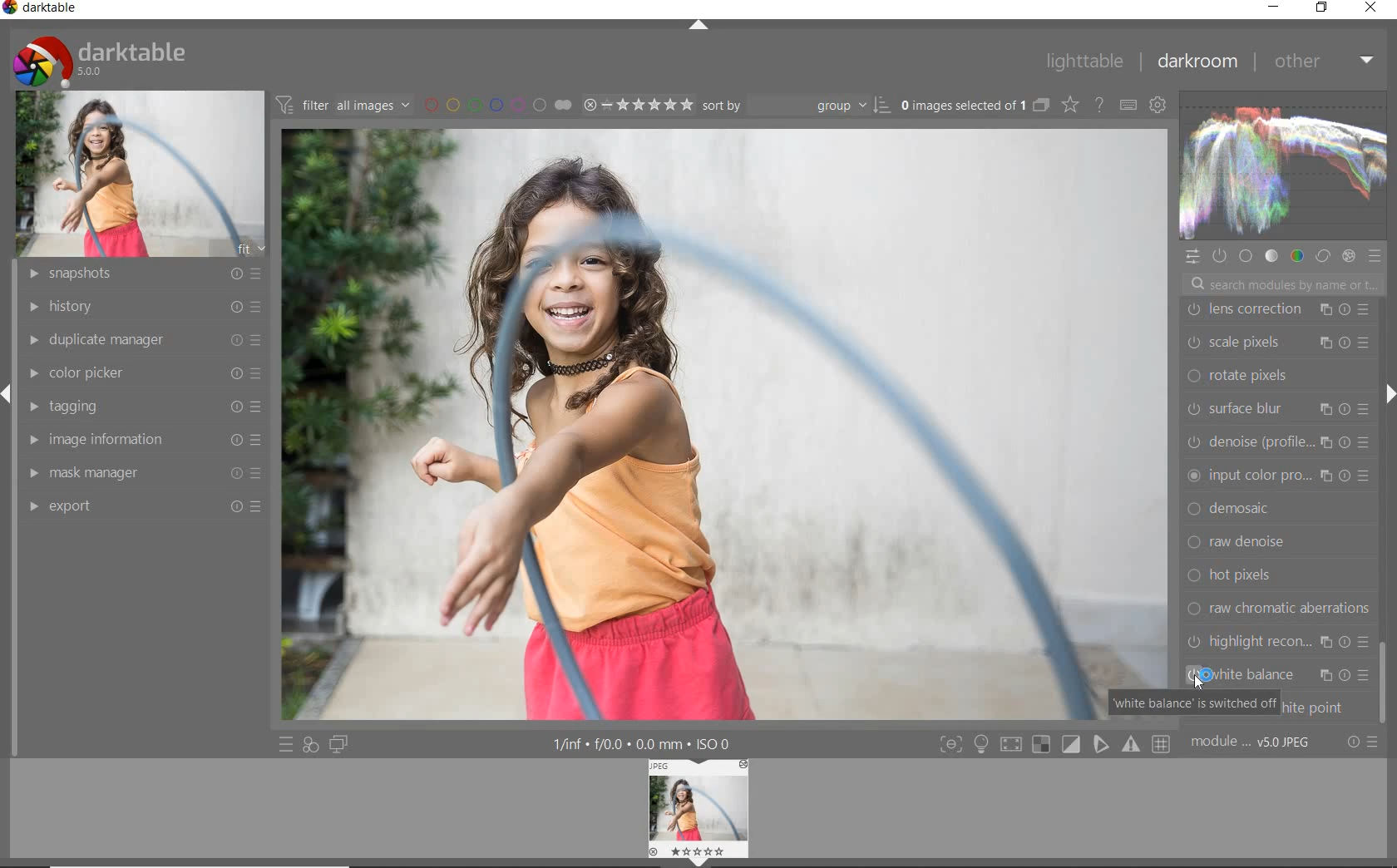 The width and height of the screenshot is (1397, 868). Describe the element at coordinates (637, 103) in the screenshot. I see `selected image range rating` at that location.